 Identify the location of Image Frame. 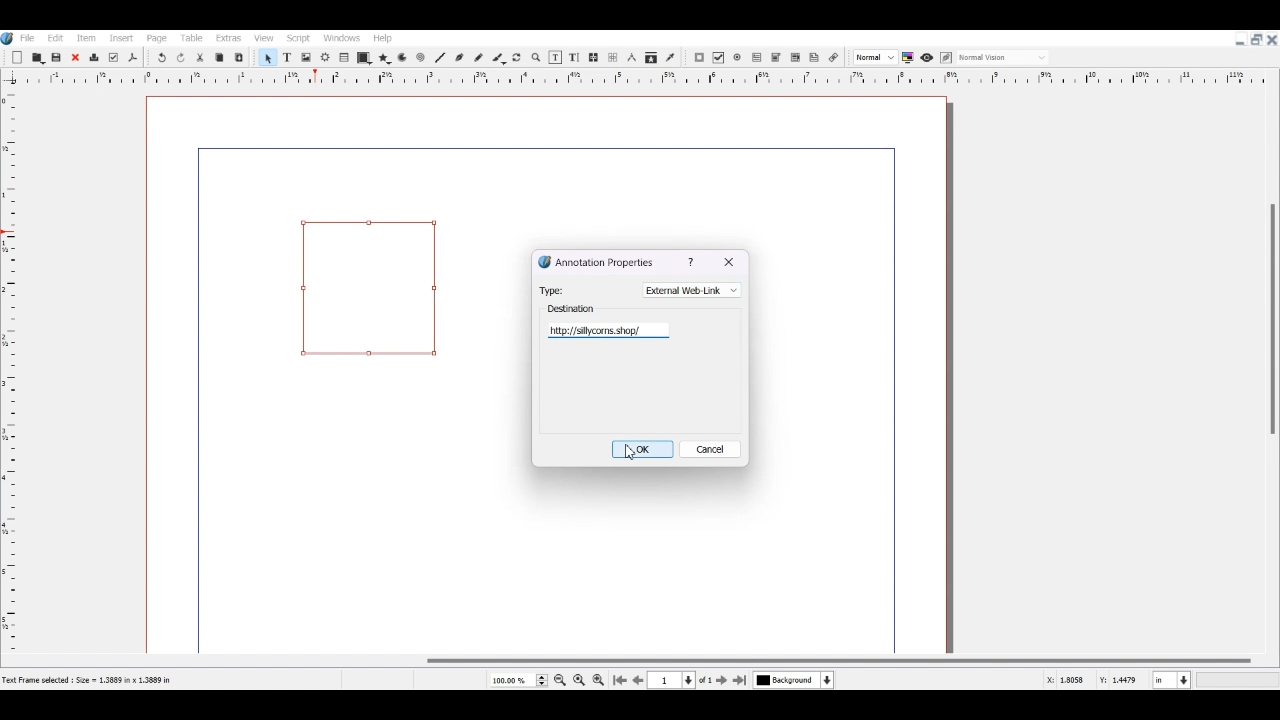
(306, 57).